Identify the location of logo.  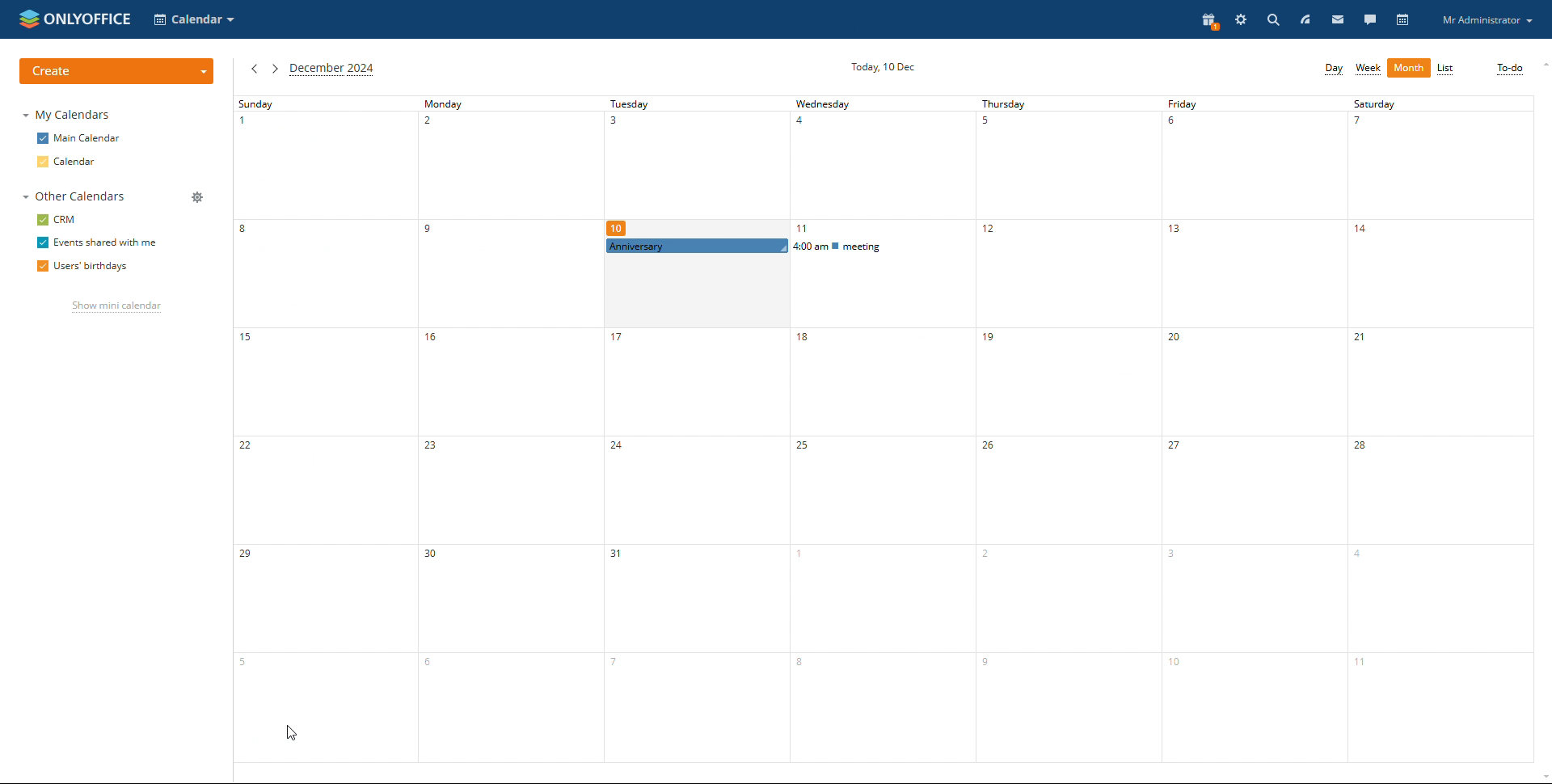
(75, 18).